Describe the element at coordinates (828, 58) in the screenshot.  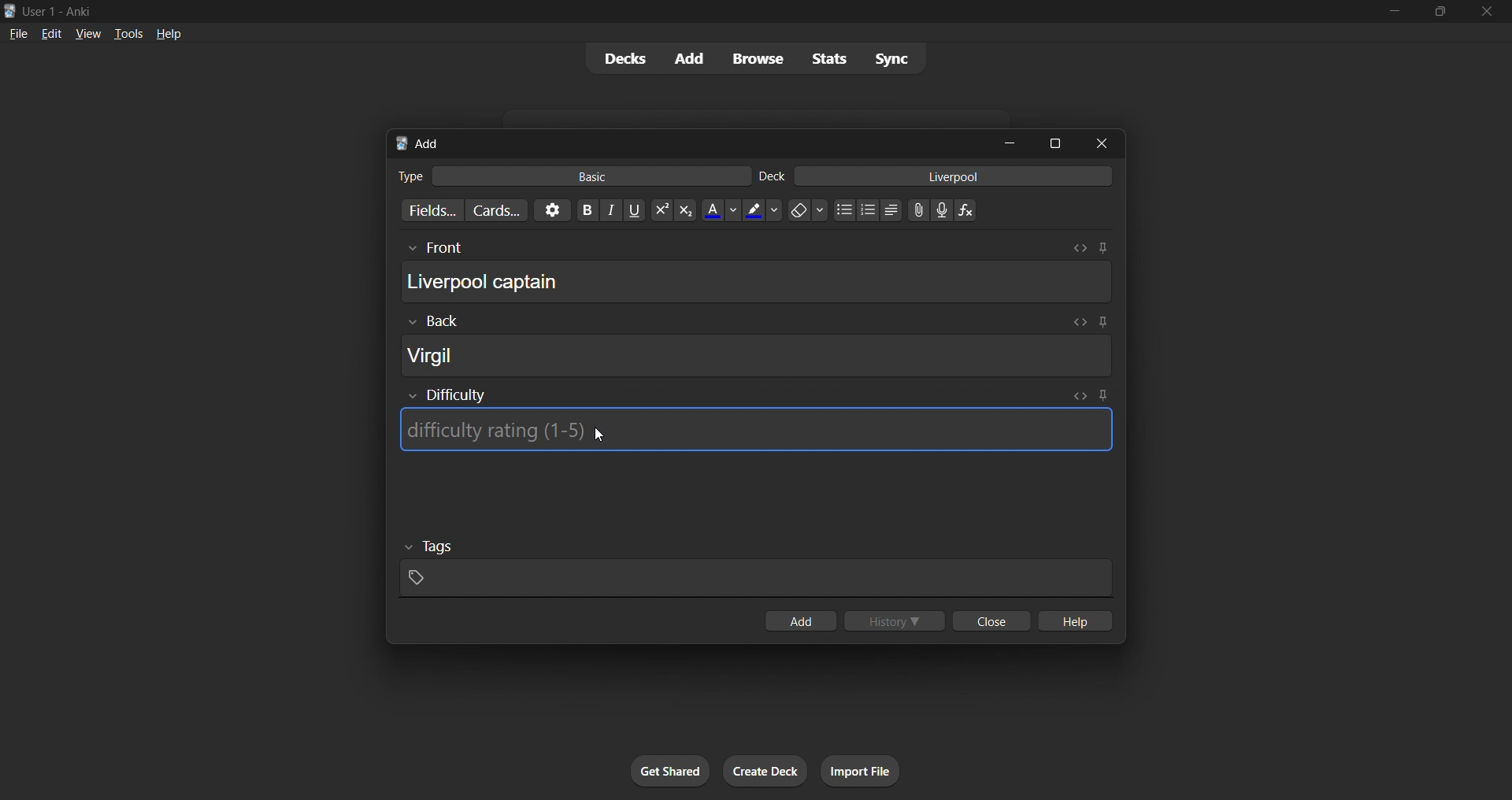
I see `stats` at that location.